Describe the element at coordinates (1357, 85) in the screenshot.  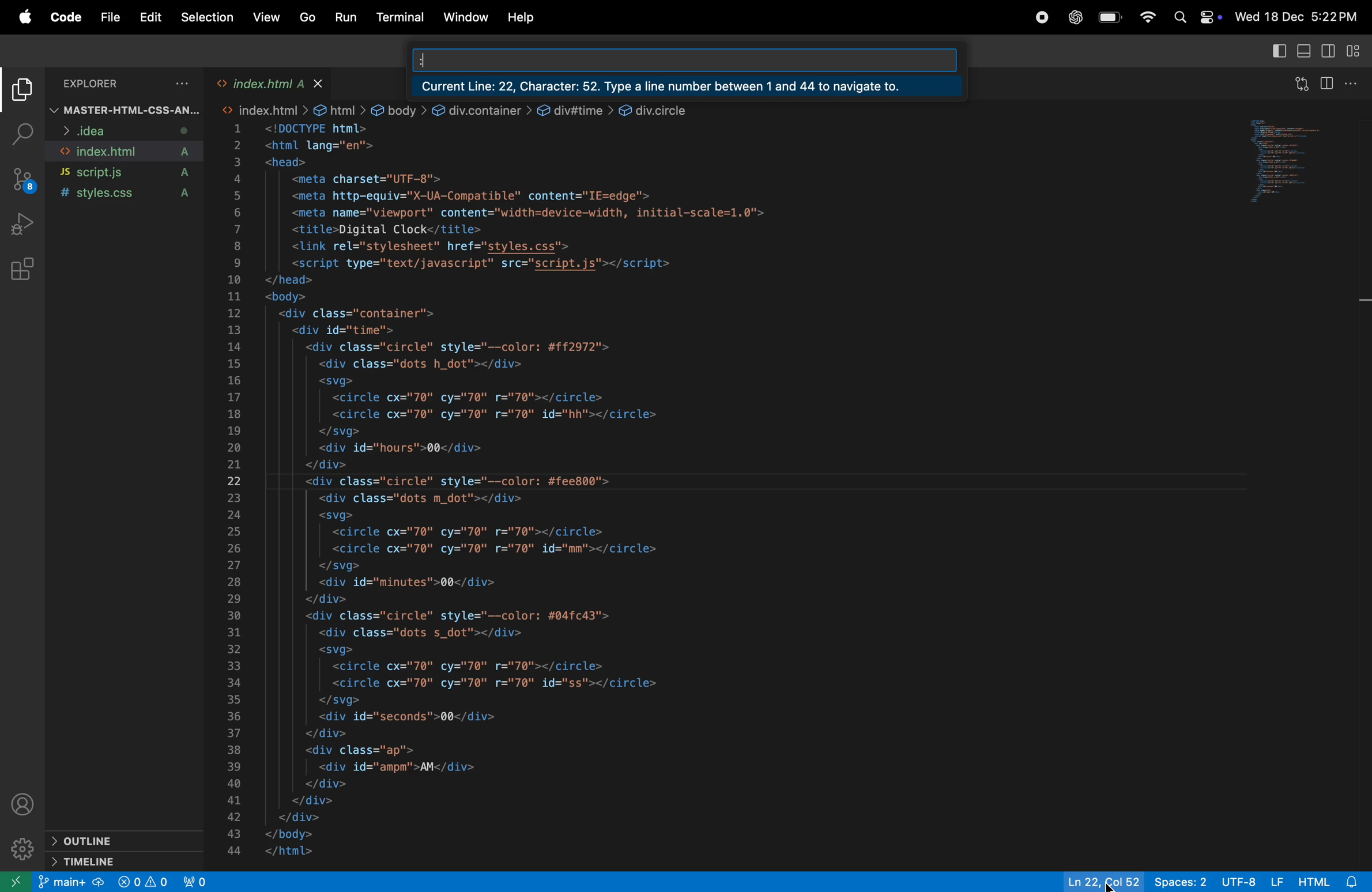
I see `options` at that location.